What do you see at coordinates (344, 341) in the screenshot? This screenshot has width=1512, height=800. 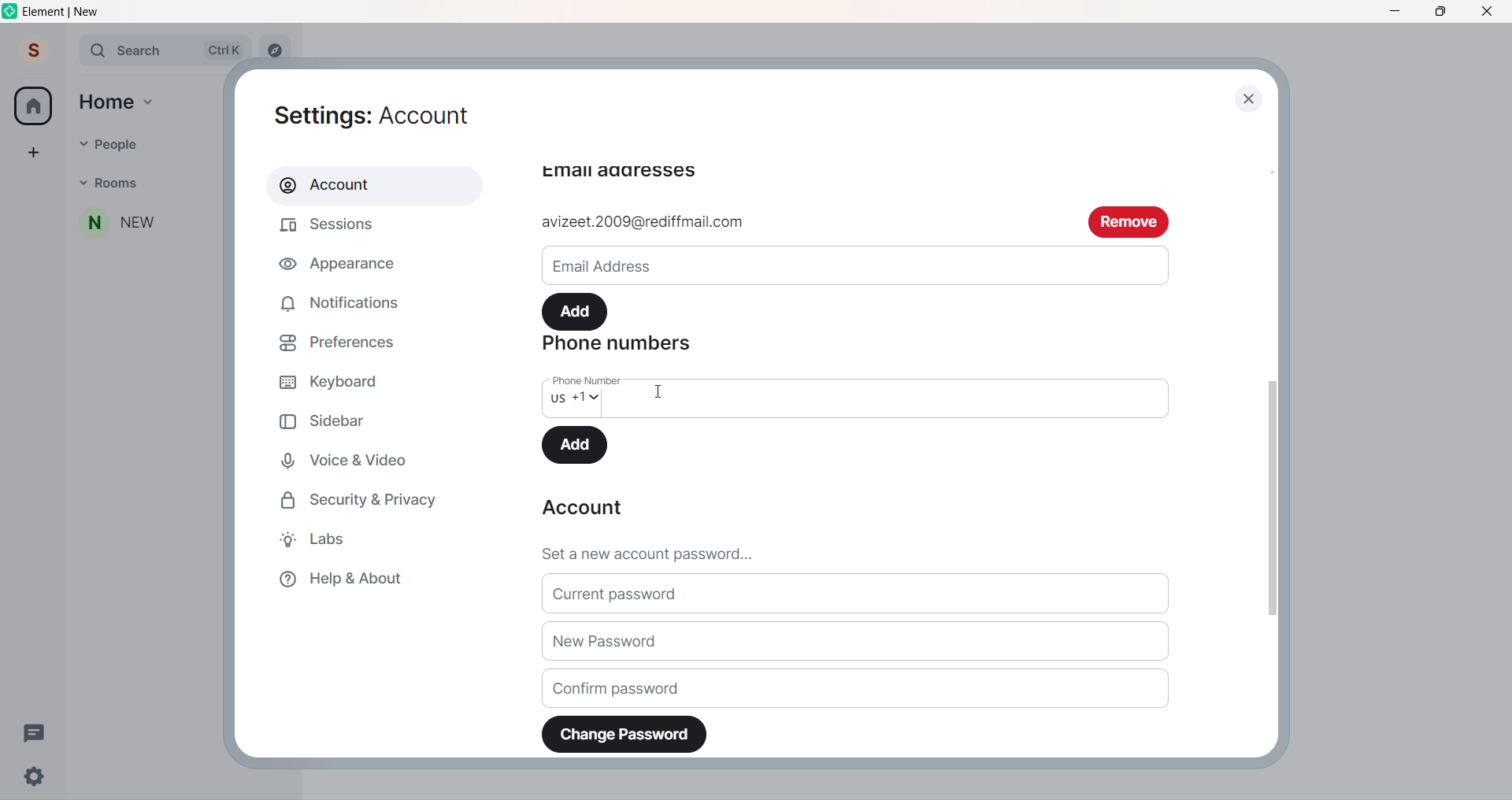 I see `Preferences` at bounding box center [344, 341].